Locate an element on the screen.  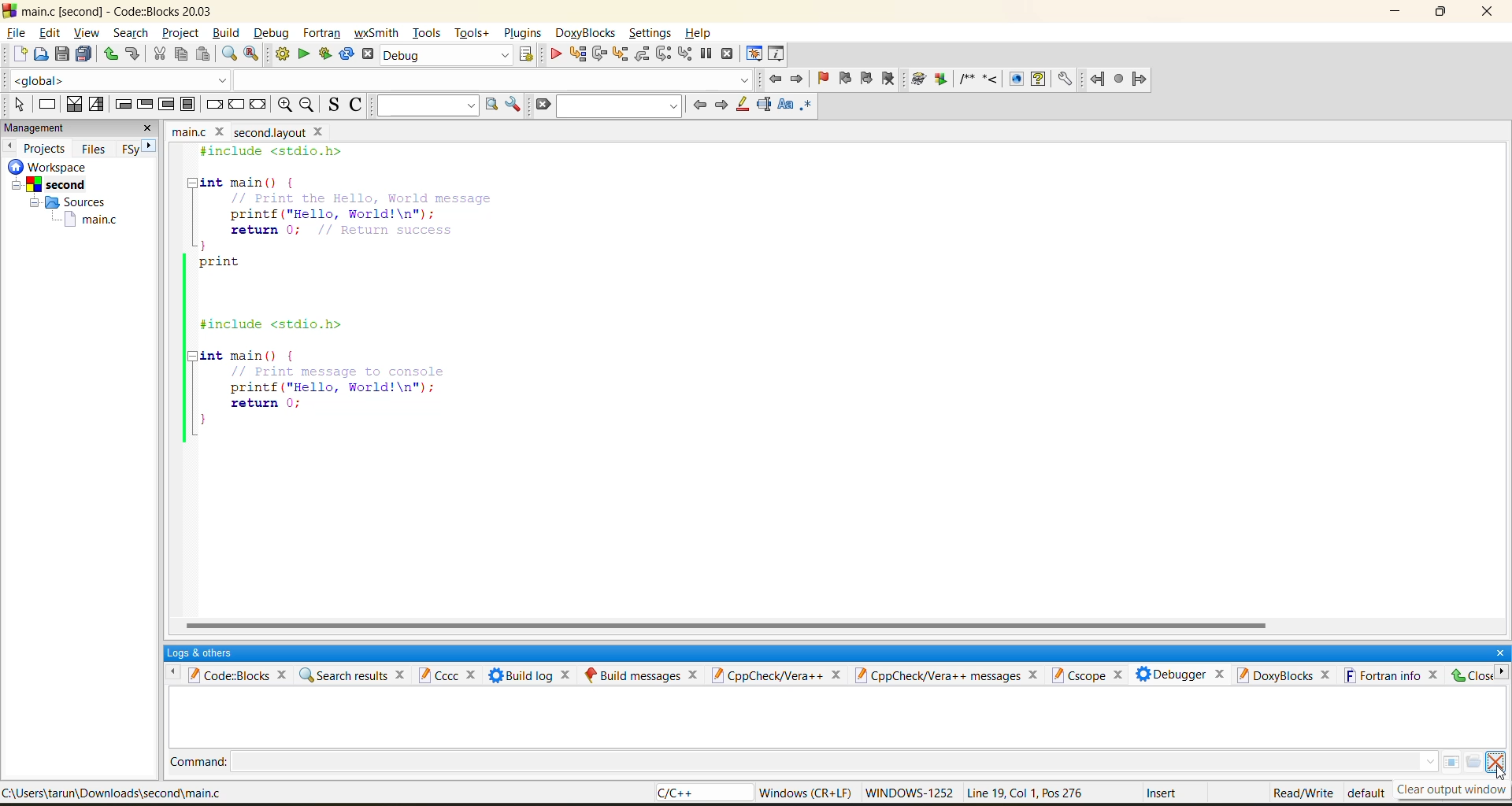
jump forward is located at coordinates (798, 78).